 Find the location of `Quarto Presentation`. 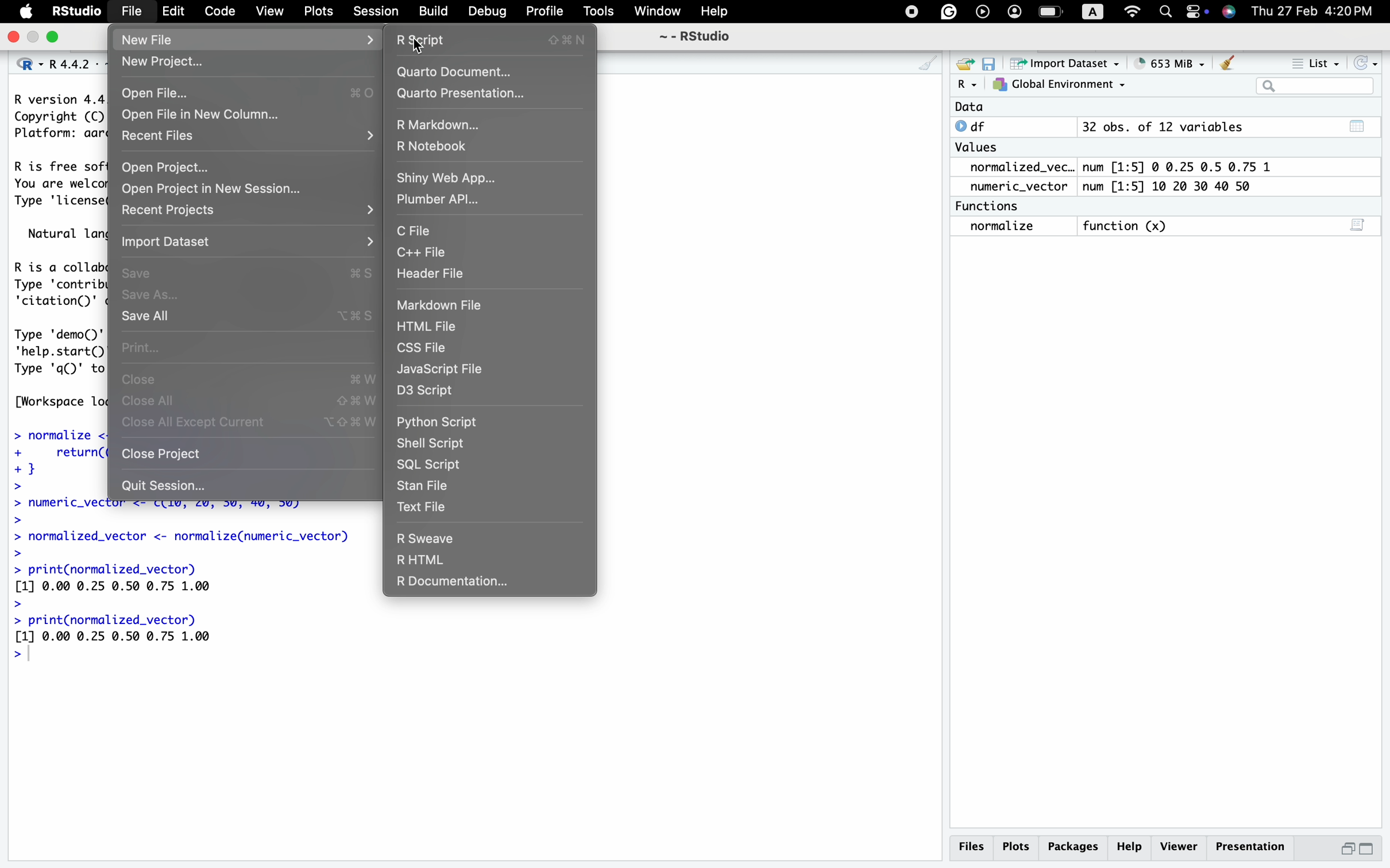

Quarto Presentation is located at coordinates (464, 94).